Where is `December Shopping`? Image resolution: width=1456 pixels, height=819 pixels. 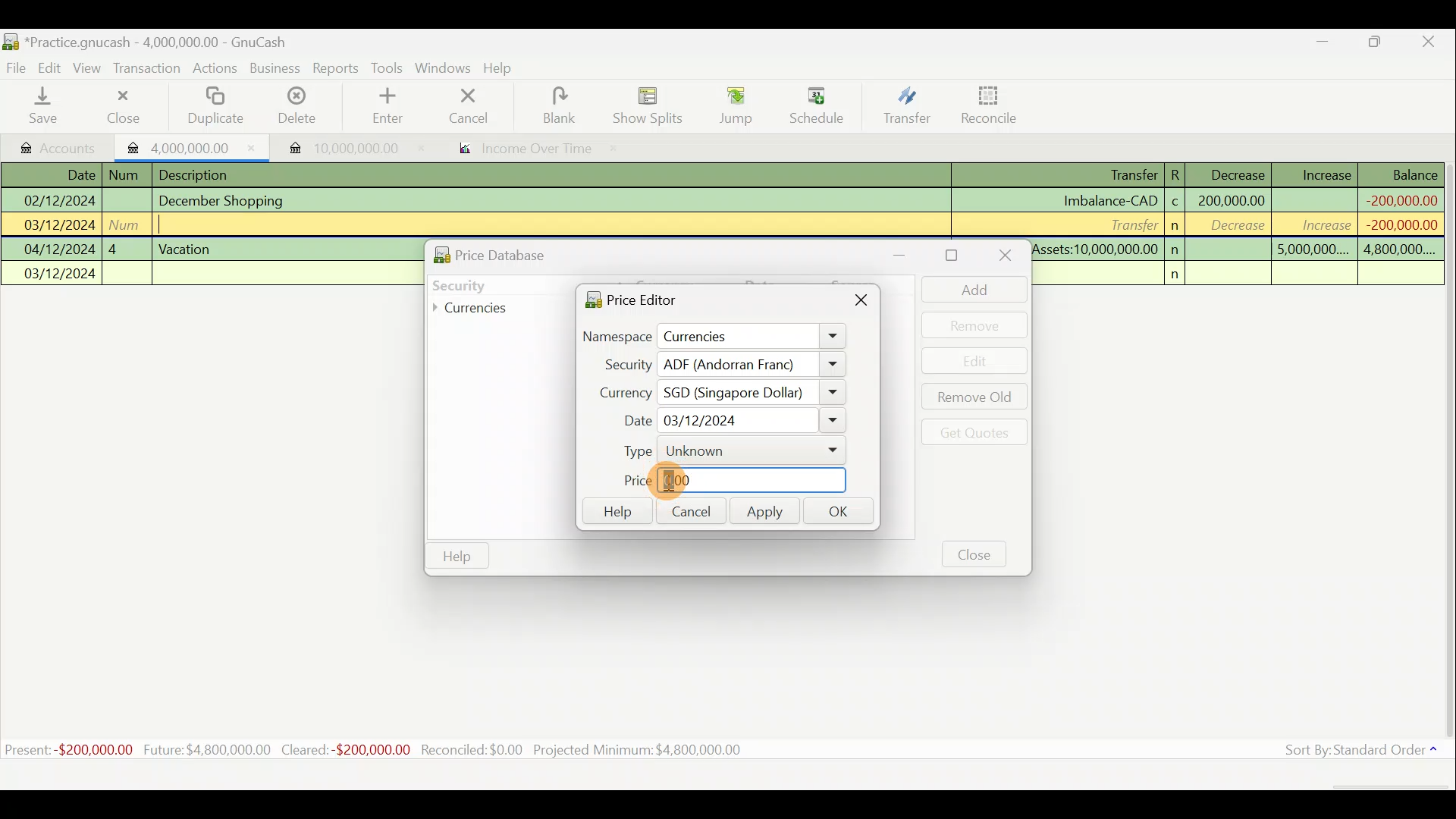 December Shopping is located at coordinates (228, 201).